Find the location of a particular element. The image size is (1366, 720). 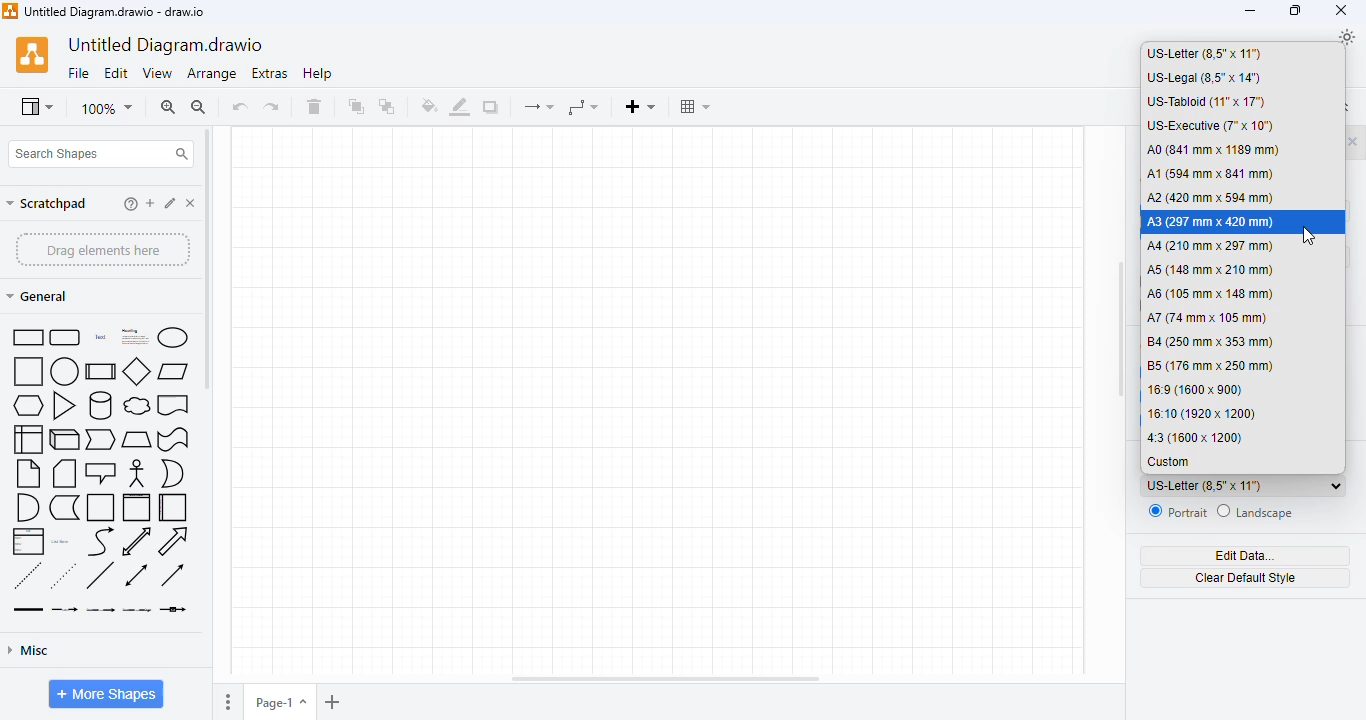

line color is located at coordinates (460, 107).